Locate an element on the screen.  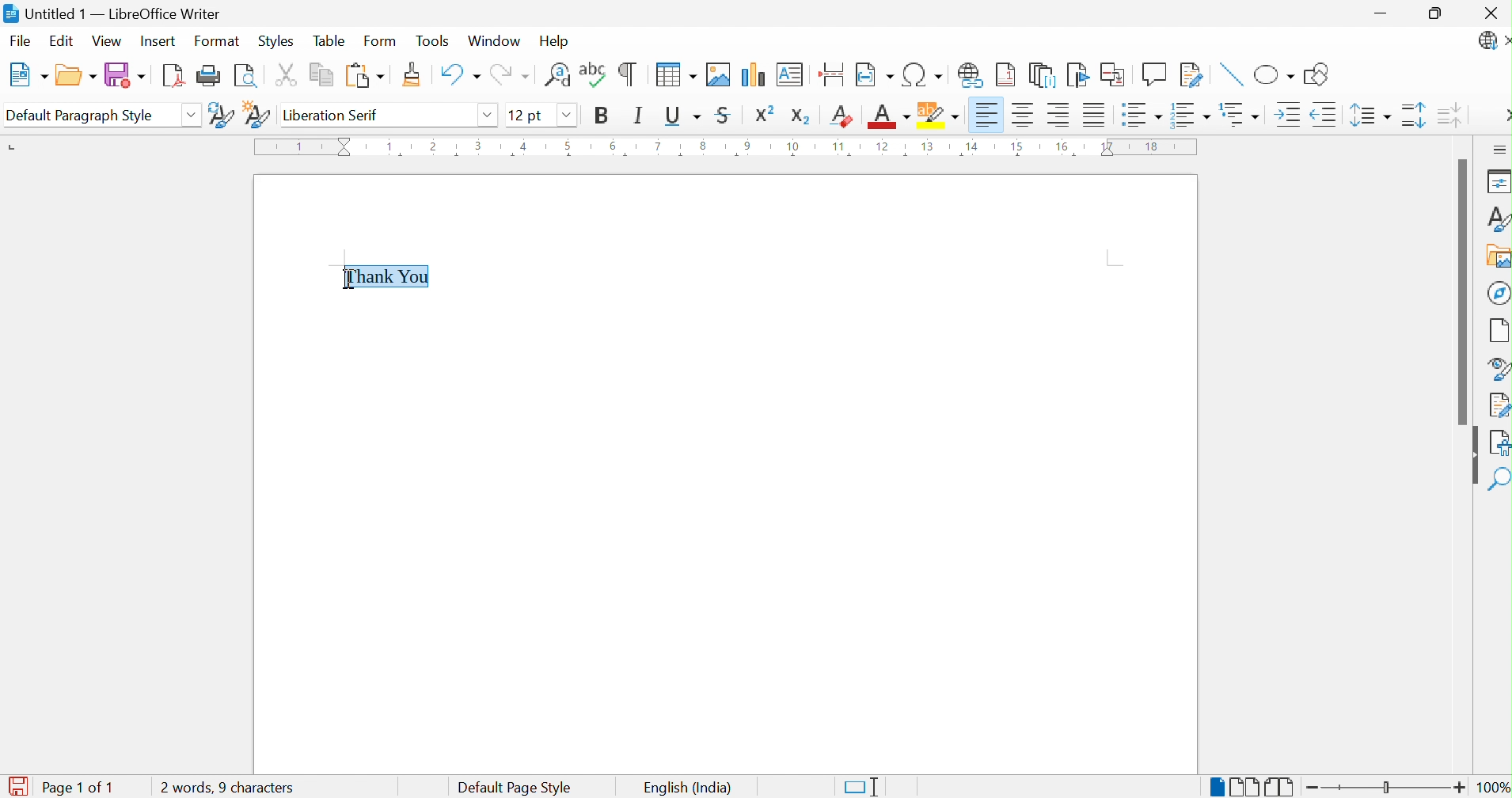
Sidebar Settings is located at coordinates (1499, 149).